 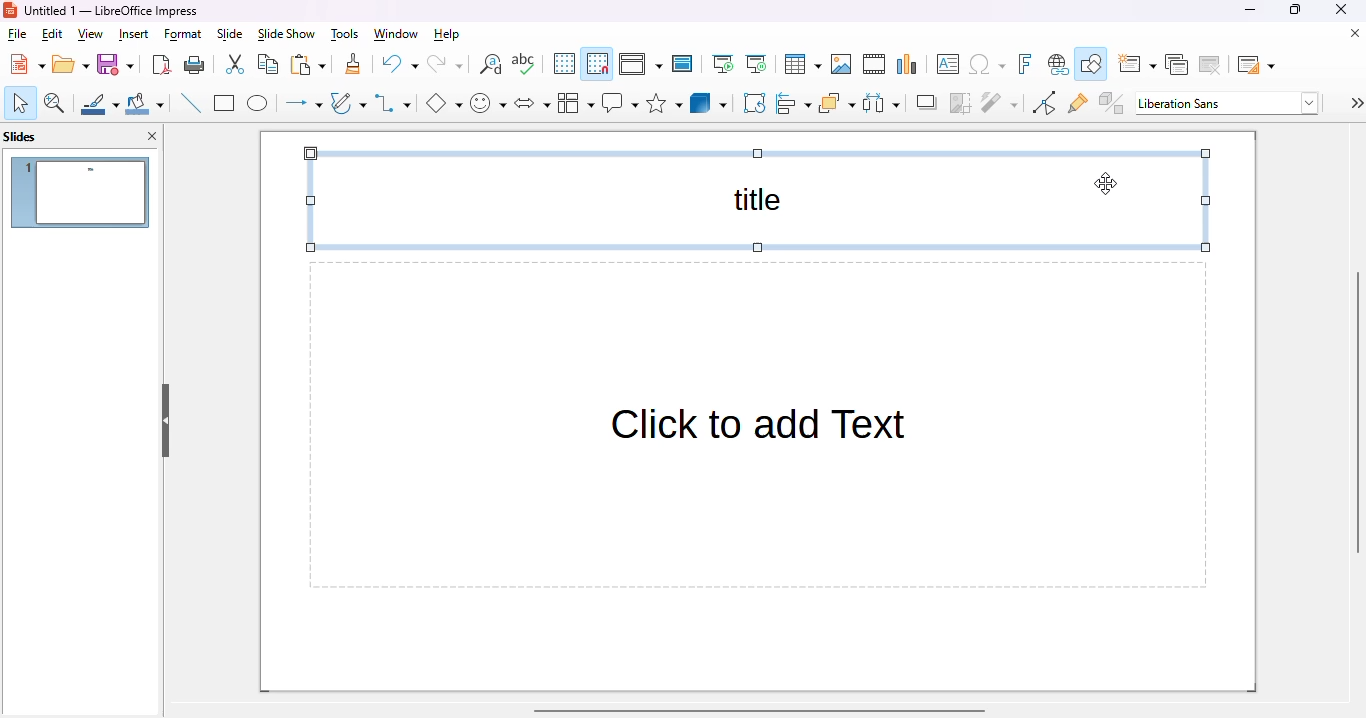 I want to click on close document, so click(x=1351, y=33).